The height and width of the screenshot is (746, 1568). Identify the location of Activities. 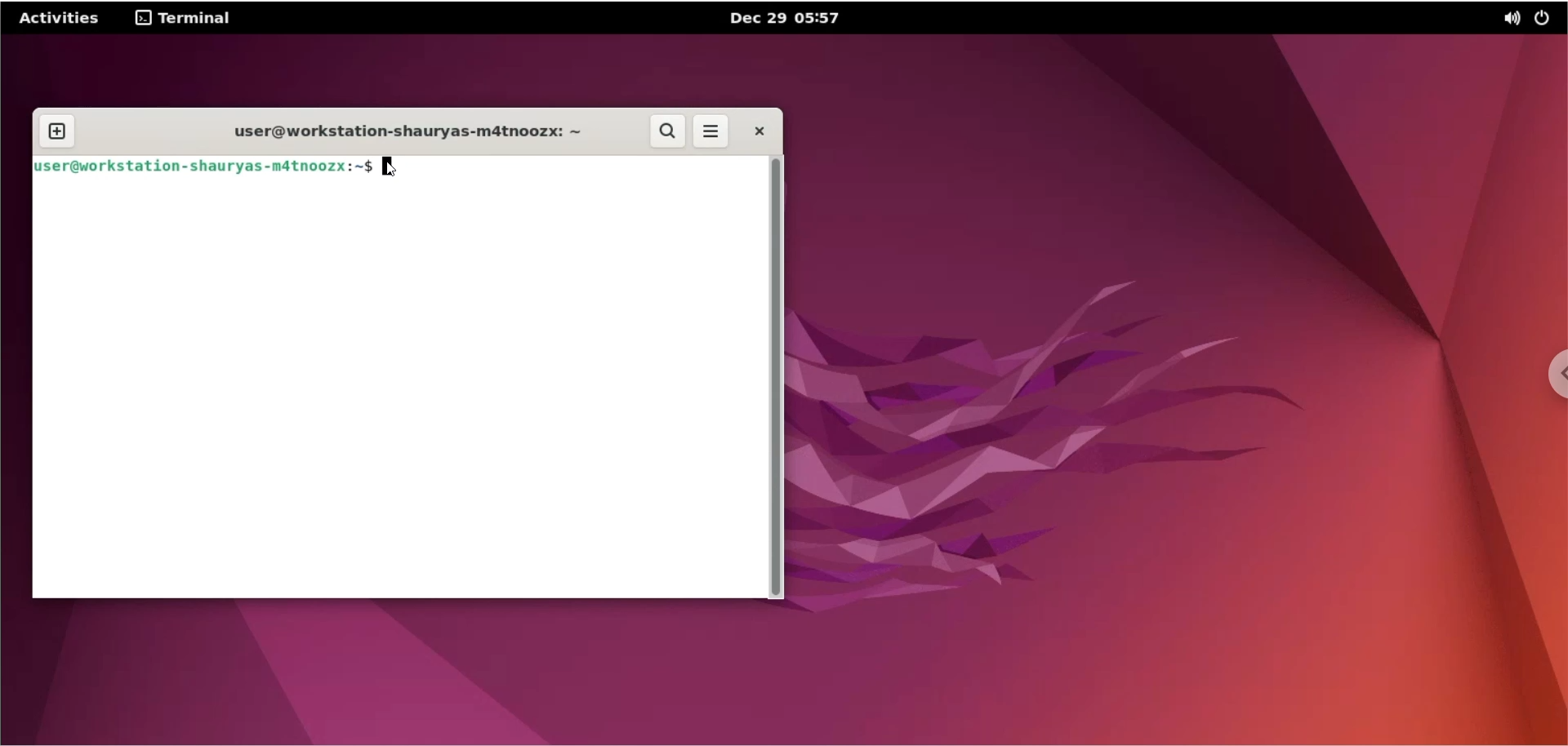
(61, 18).